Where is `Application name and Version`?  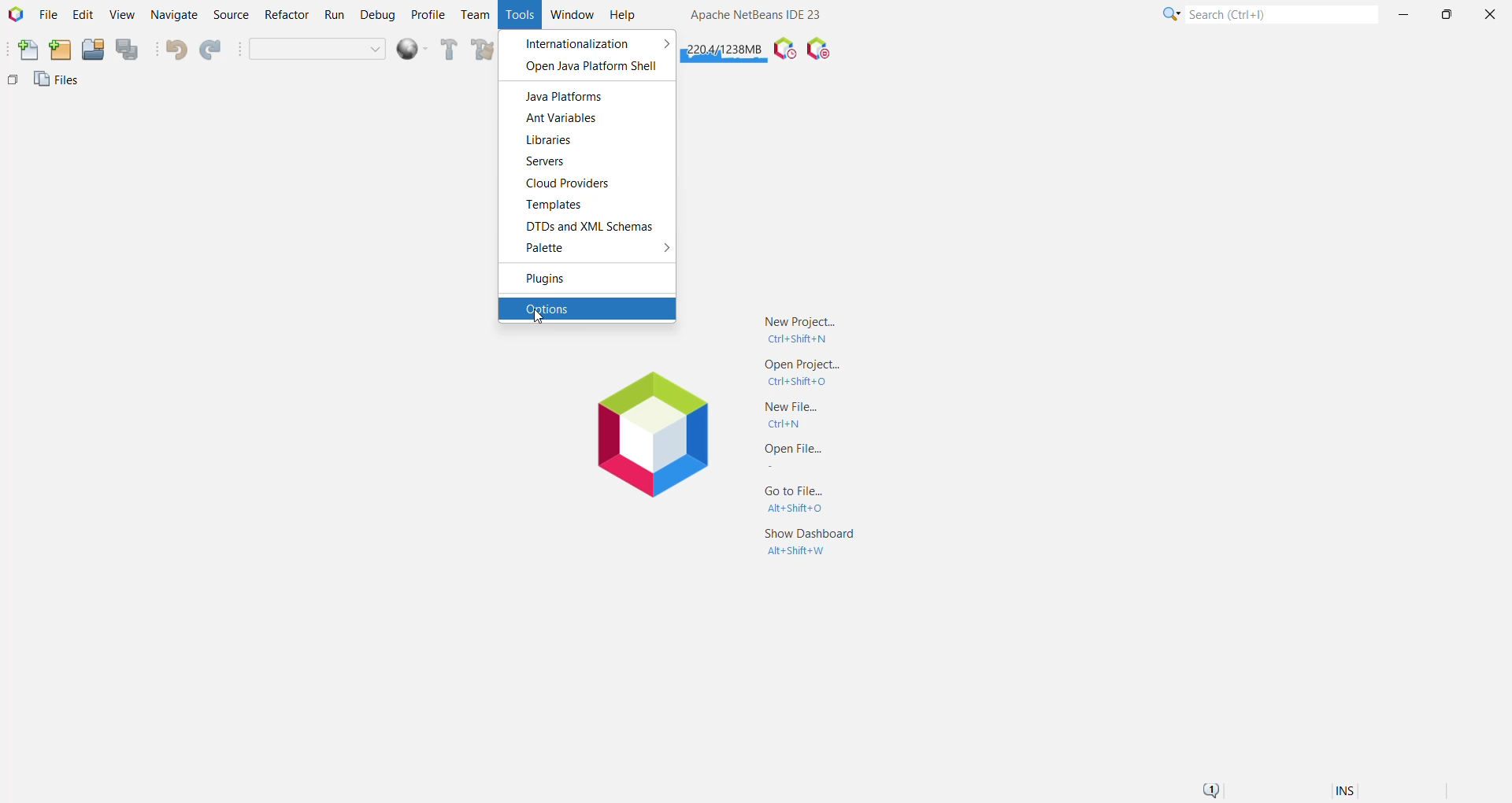 Application name and Version is located at coordinates (754, 17).